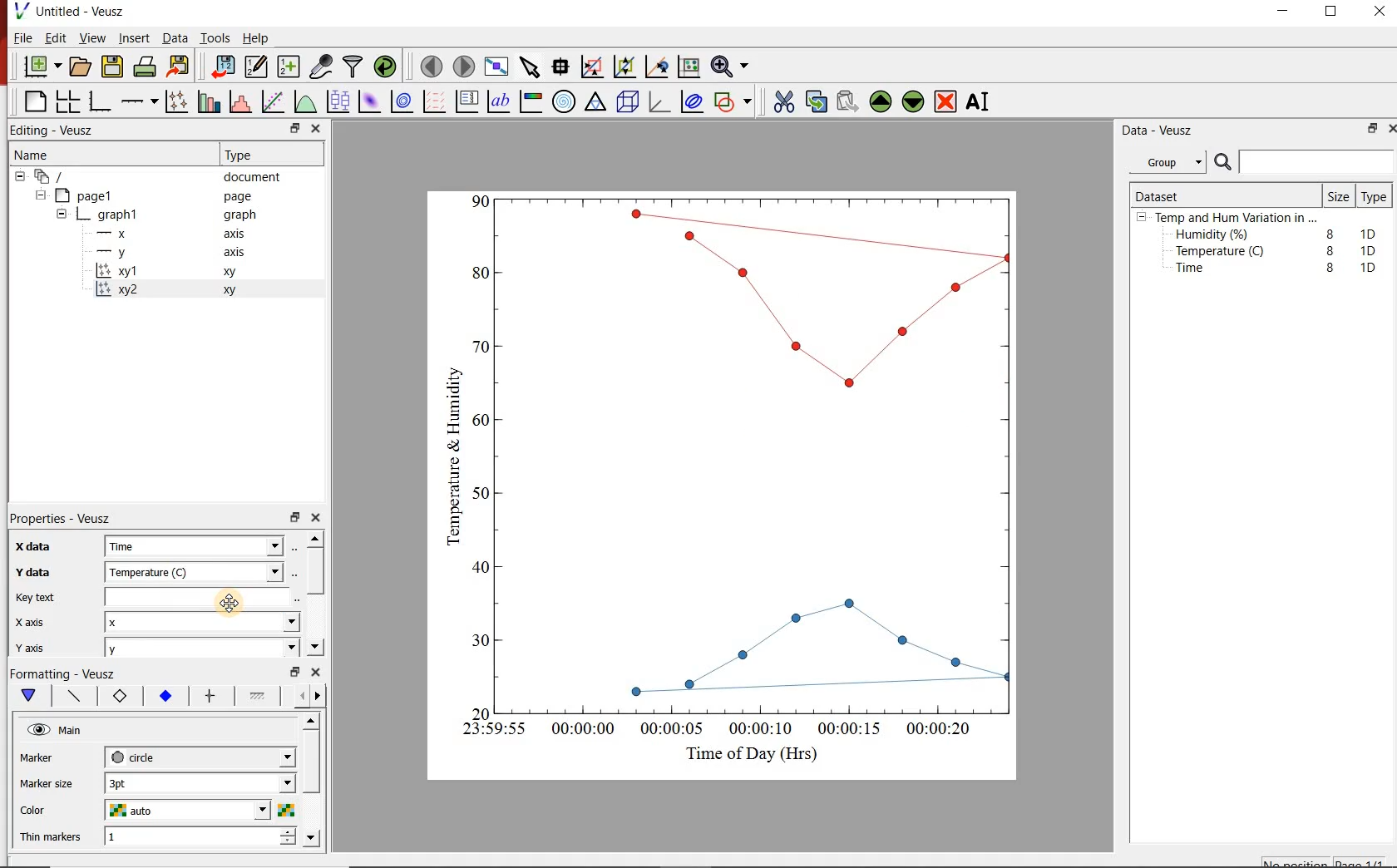  What do you see at coordinates (307, 104) in the screenshot?
I see `plot a function` at bounding box center [307, 104].